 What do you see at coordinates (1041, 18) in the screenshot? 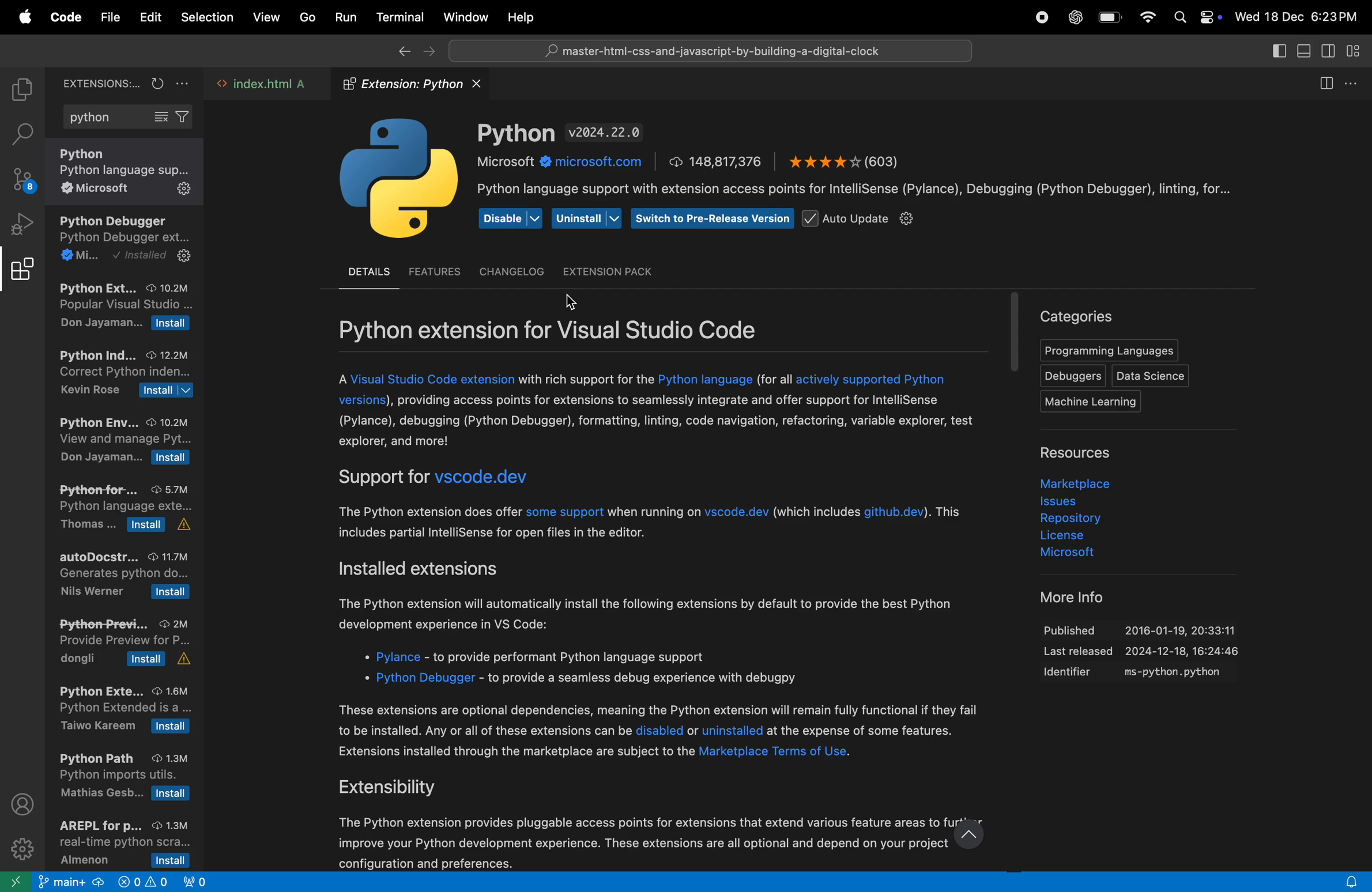
I see `record` at bounding box center [1041, 18].